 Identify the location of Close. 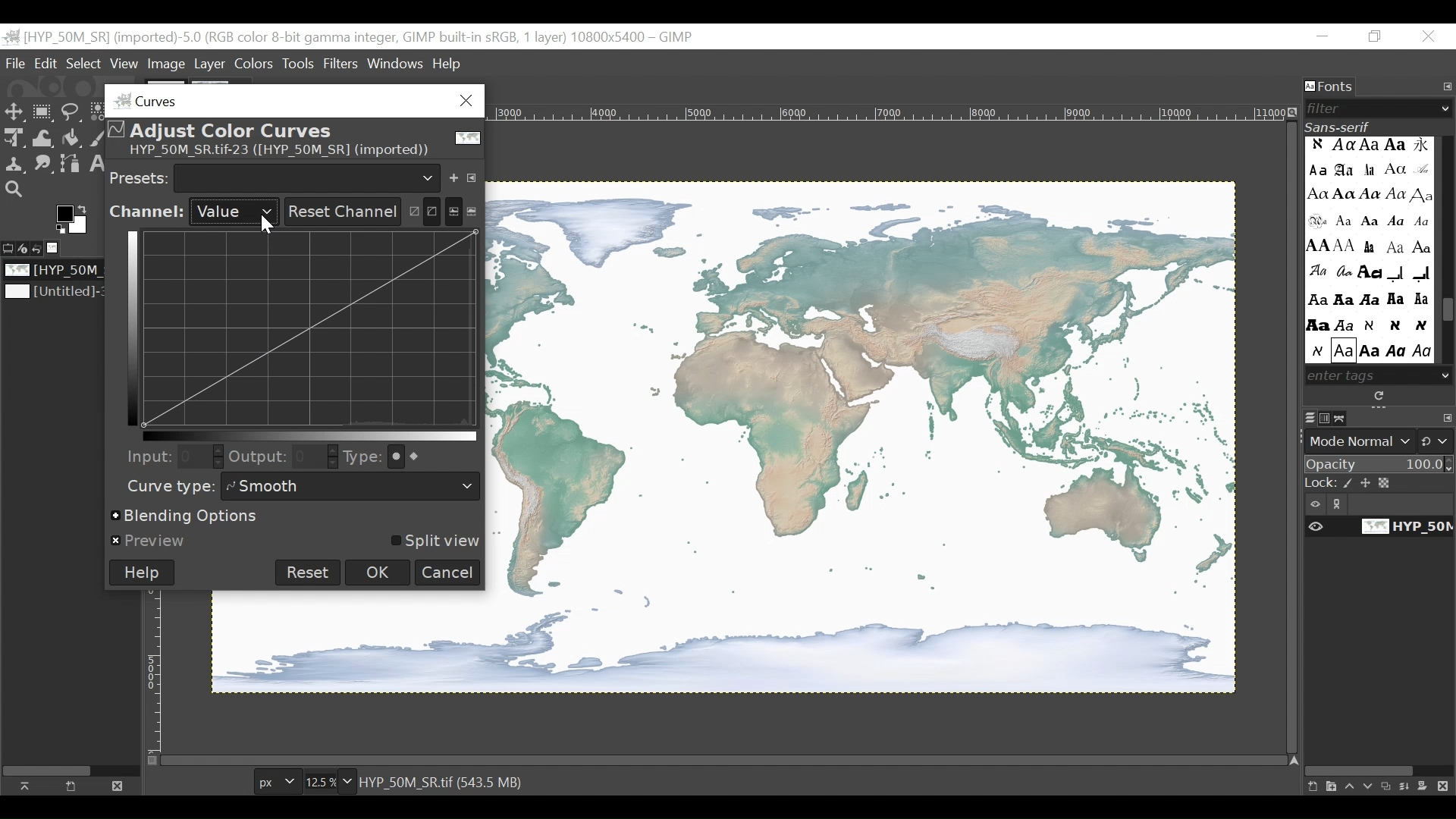
(1429, 37).